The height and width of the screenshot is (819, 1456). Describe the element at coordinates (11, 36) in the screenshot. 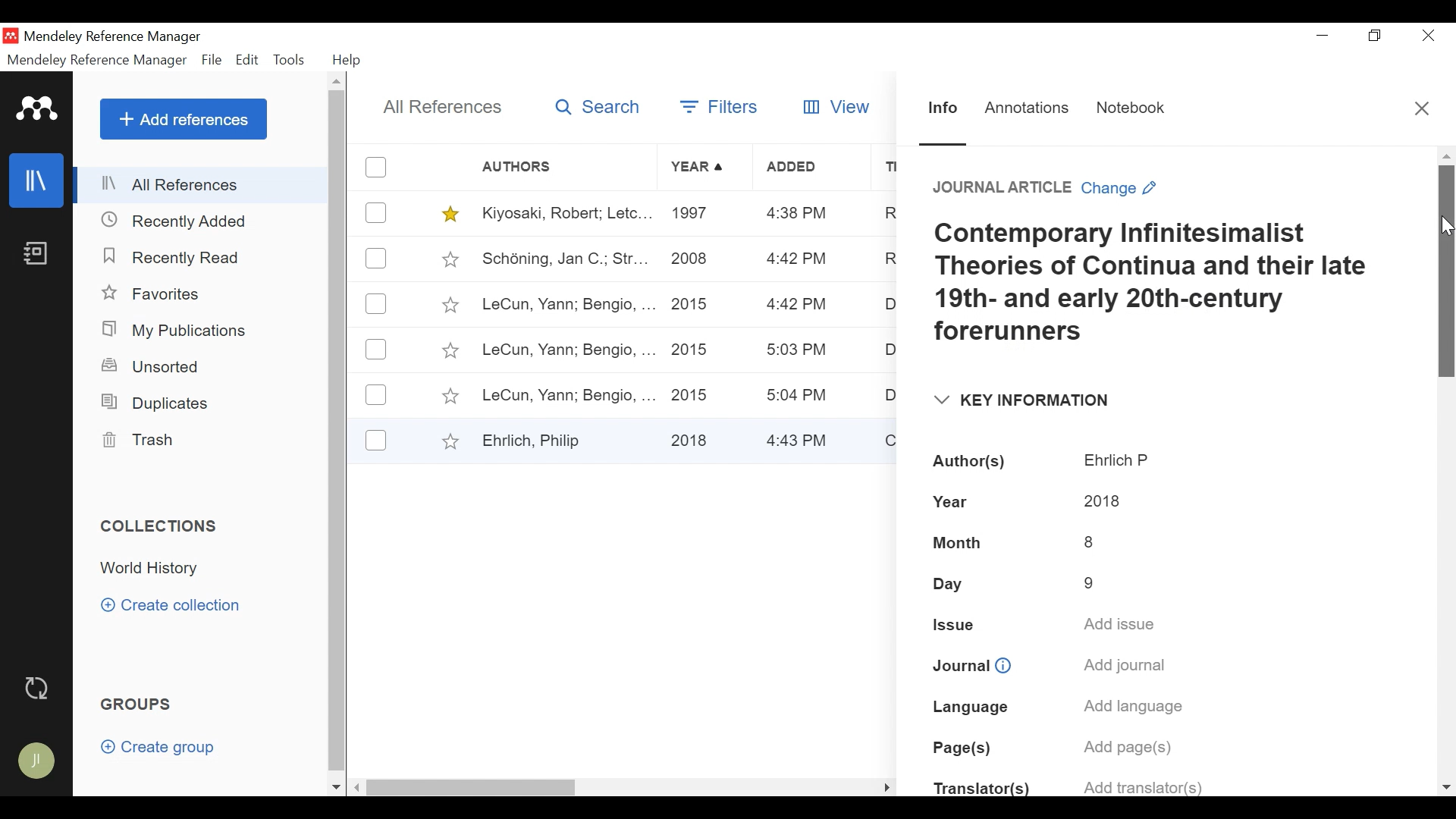

I see `Mendeley Desktop Icon` at that location.